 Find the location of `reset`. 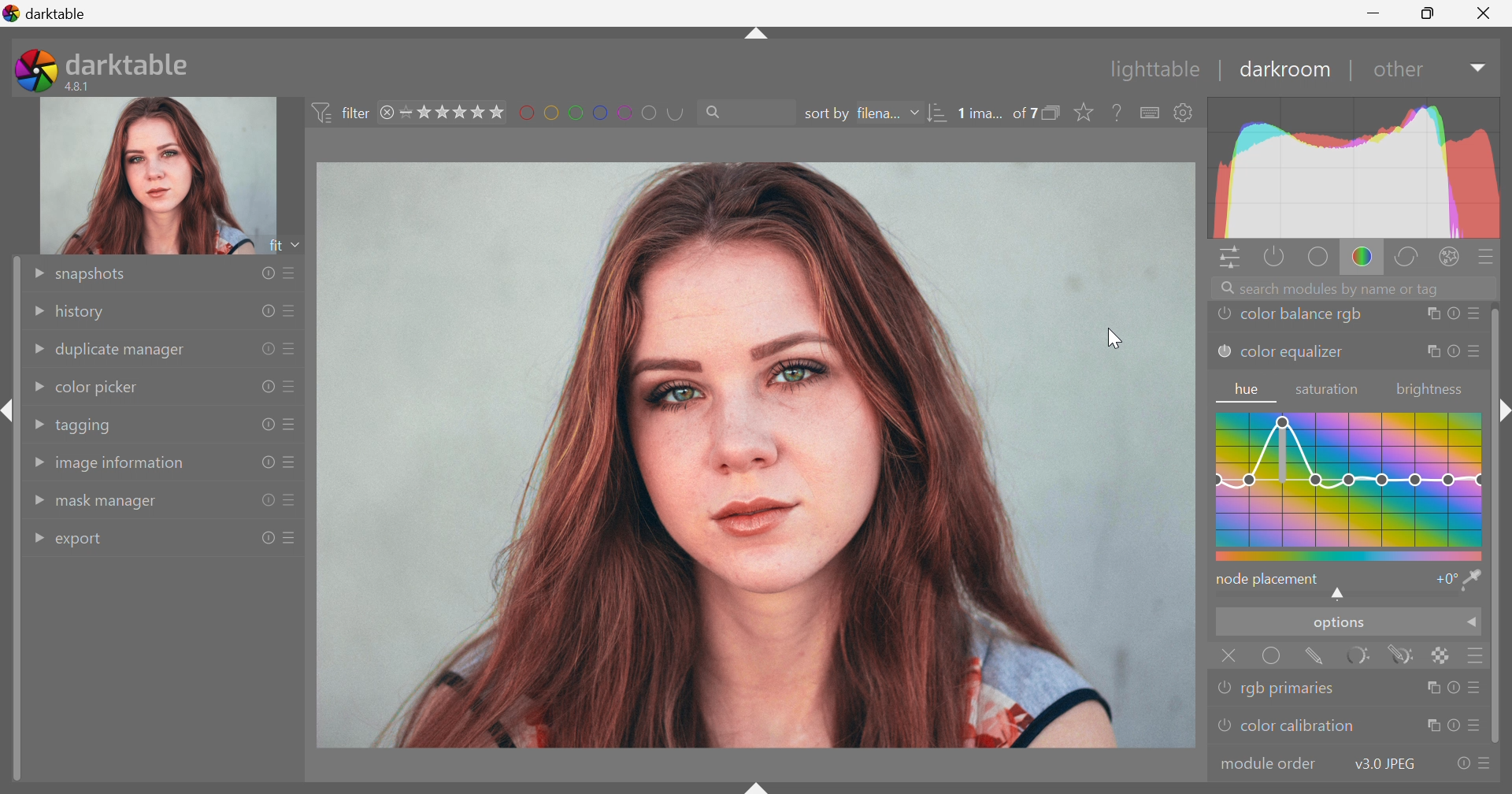

reset is located at coordinates (269, 274).